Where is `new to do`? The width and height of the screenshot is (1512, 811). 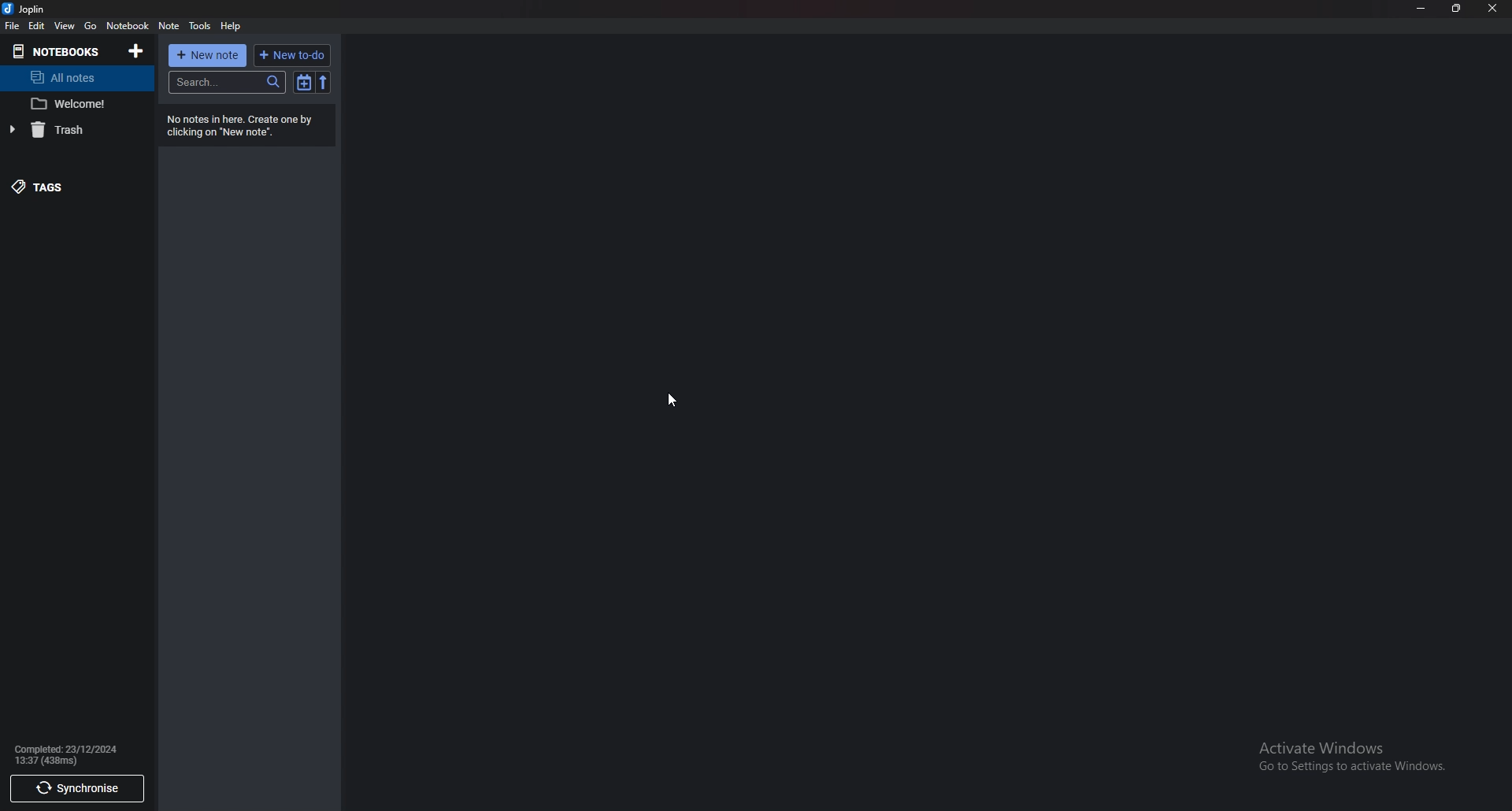
new to do is located at coordinates (292, 55).